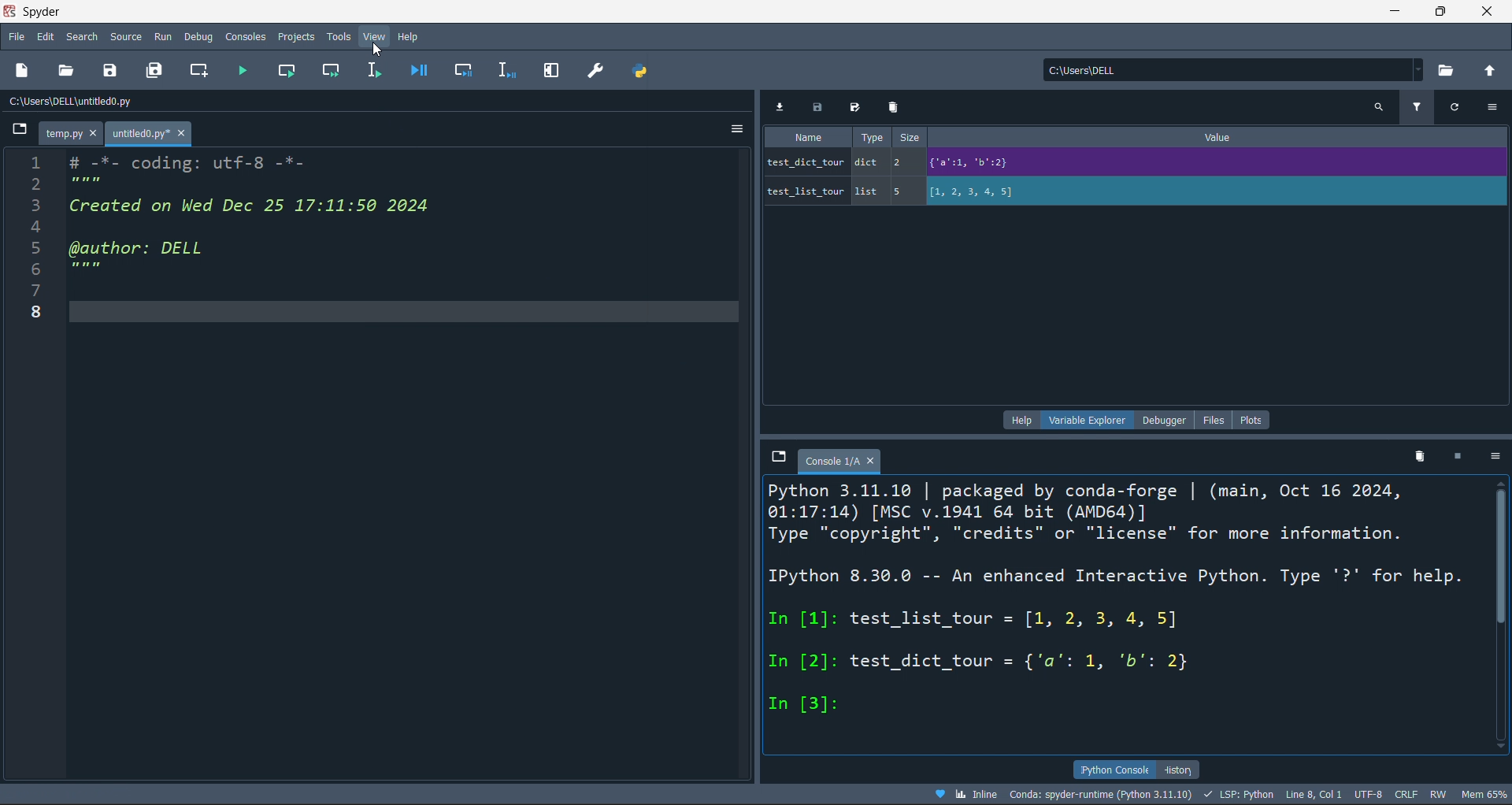 The height and width of the screenshot is (805, 1512). What do you see at coordinates (1165, 419) in the screenshot?
I see `debugger` at bounding box center [1165, 419].